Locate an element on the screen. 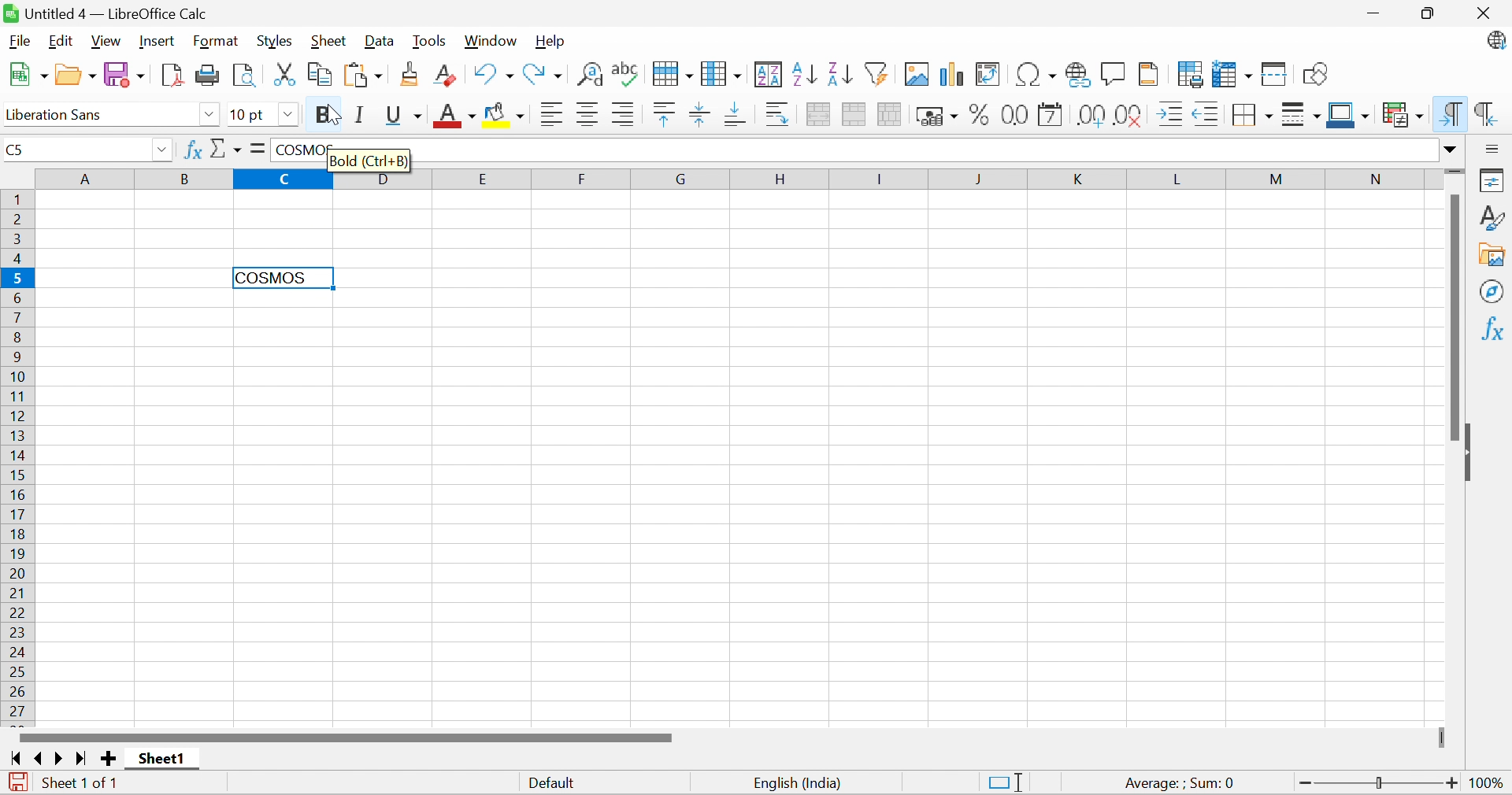 The height and width of the screenshot is (795, 1512). Column is located at coordinates (721, 72).